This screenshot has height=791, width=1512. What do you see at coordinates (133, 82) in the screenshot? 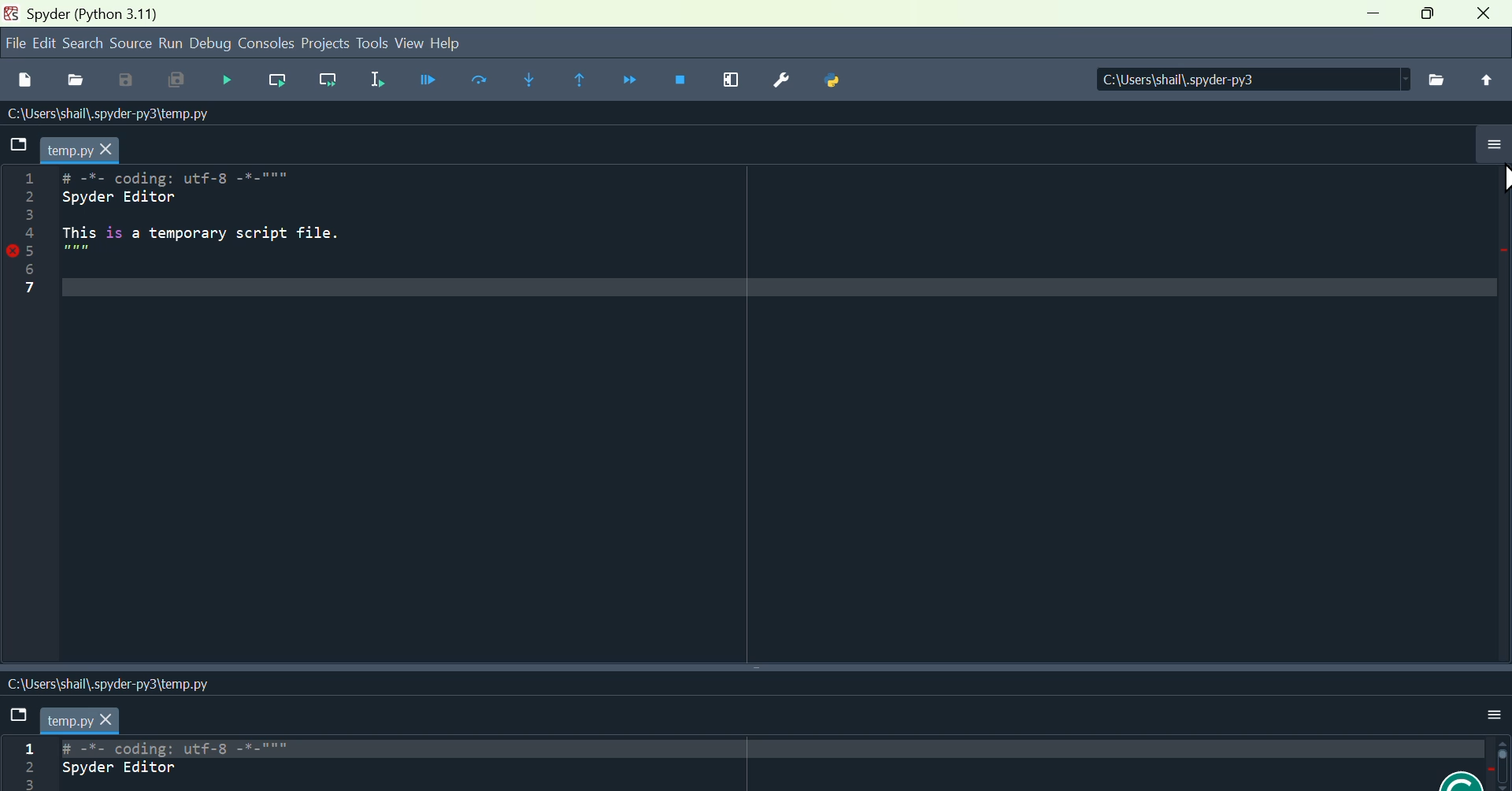
I see `Save as` at bounding box center [133, 82].